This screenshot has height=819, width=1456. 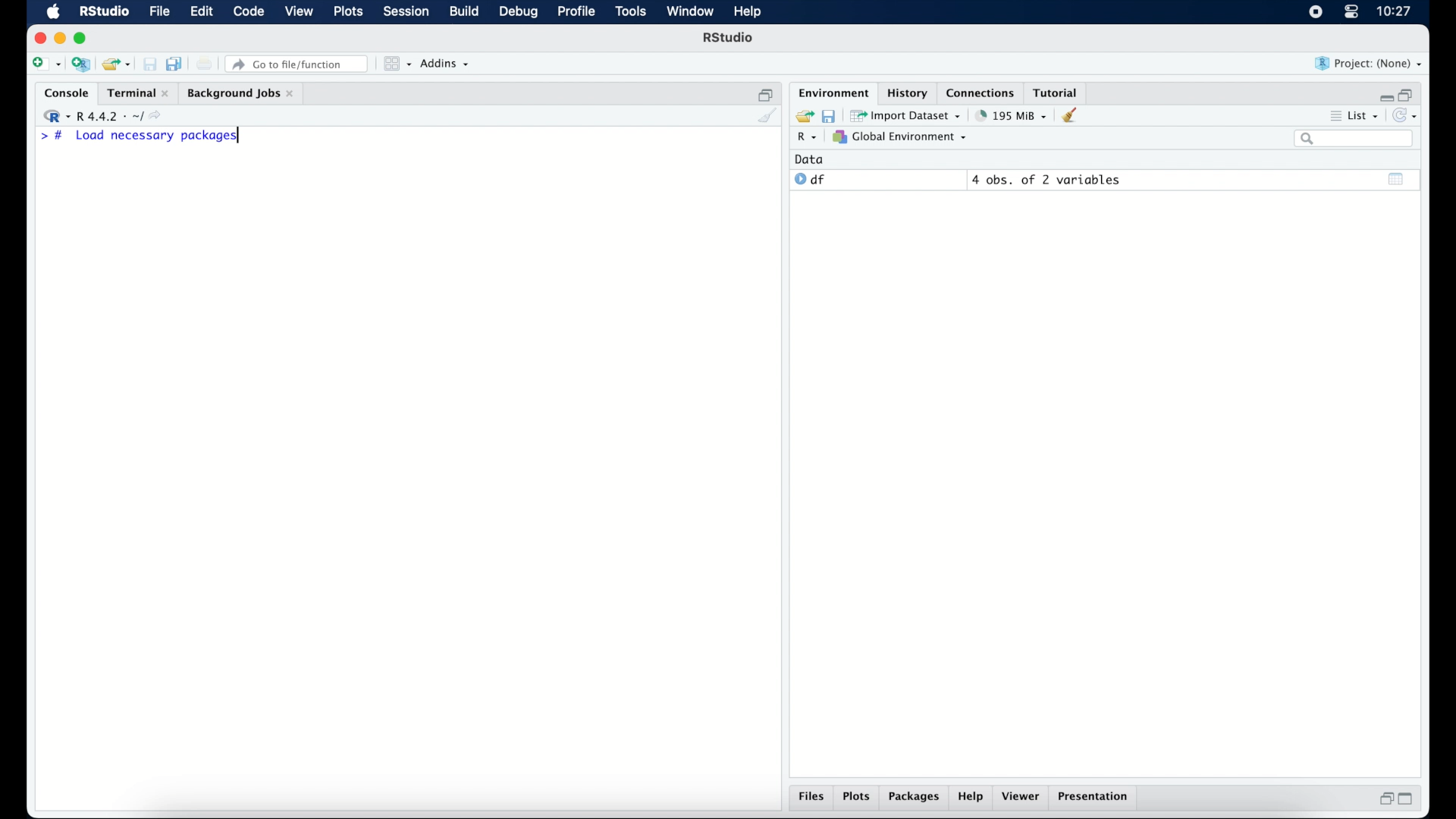 I want to click on packages, so click(x=915, y=799).